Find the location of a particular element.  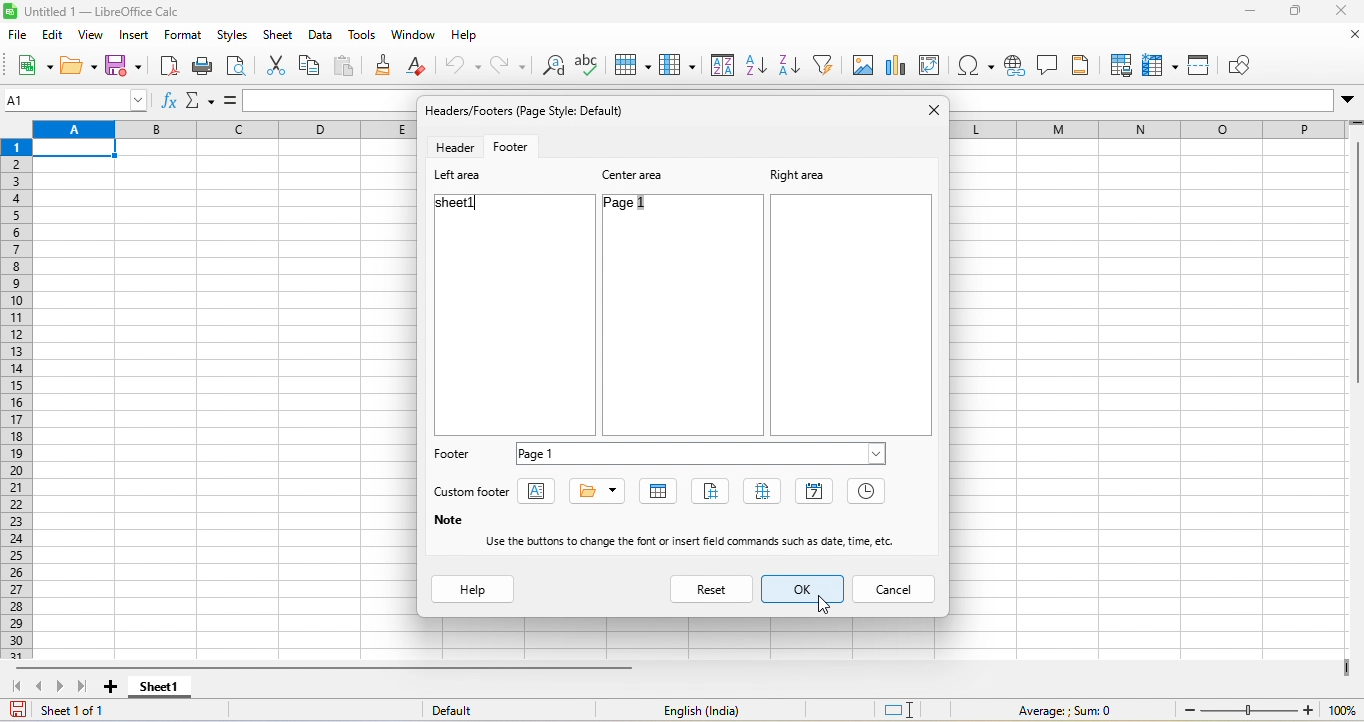

page 1 is located at coordinates (643, 208).